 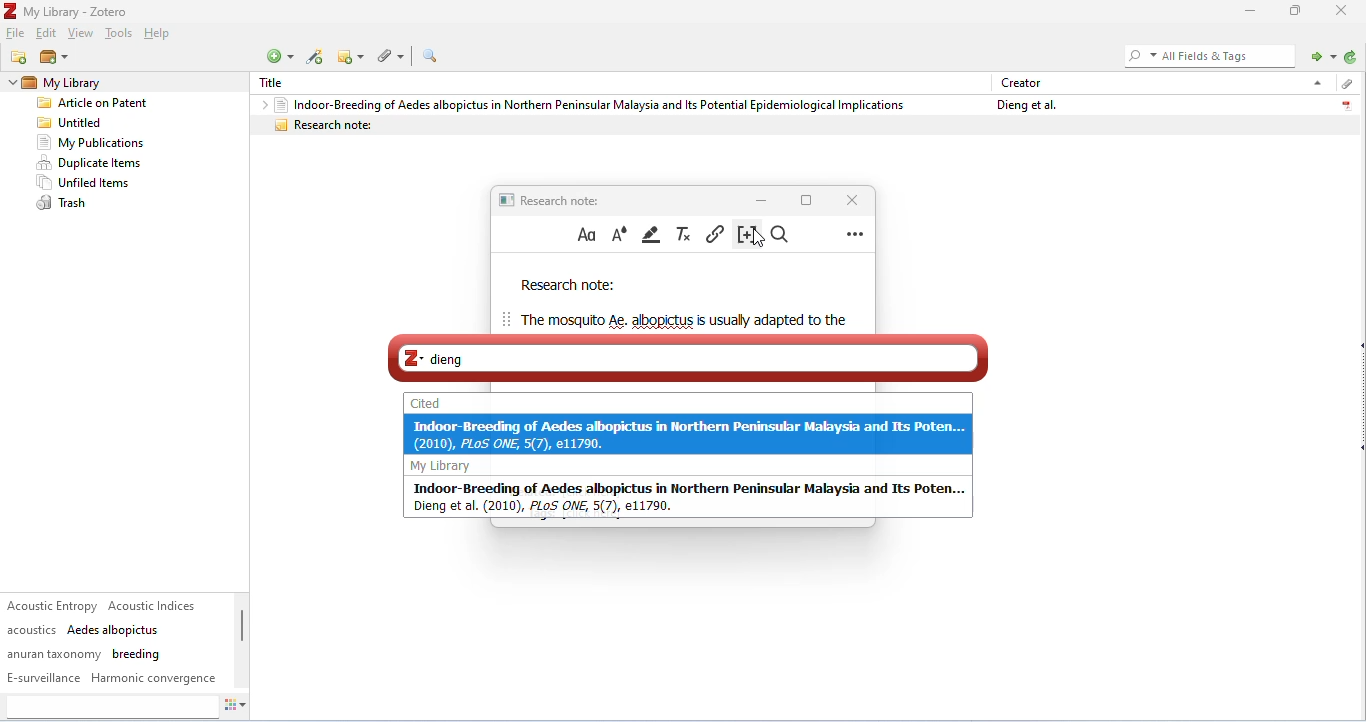 What do you see at coordinates (394, 55) in the screenshot?
I see `attachment` at bounding box center [394, 55].